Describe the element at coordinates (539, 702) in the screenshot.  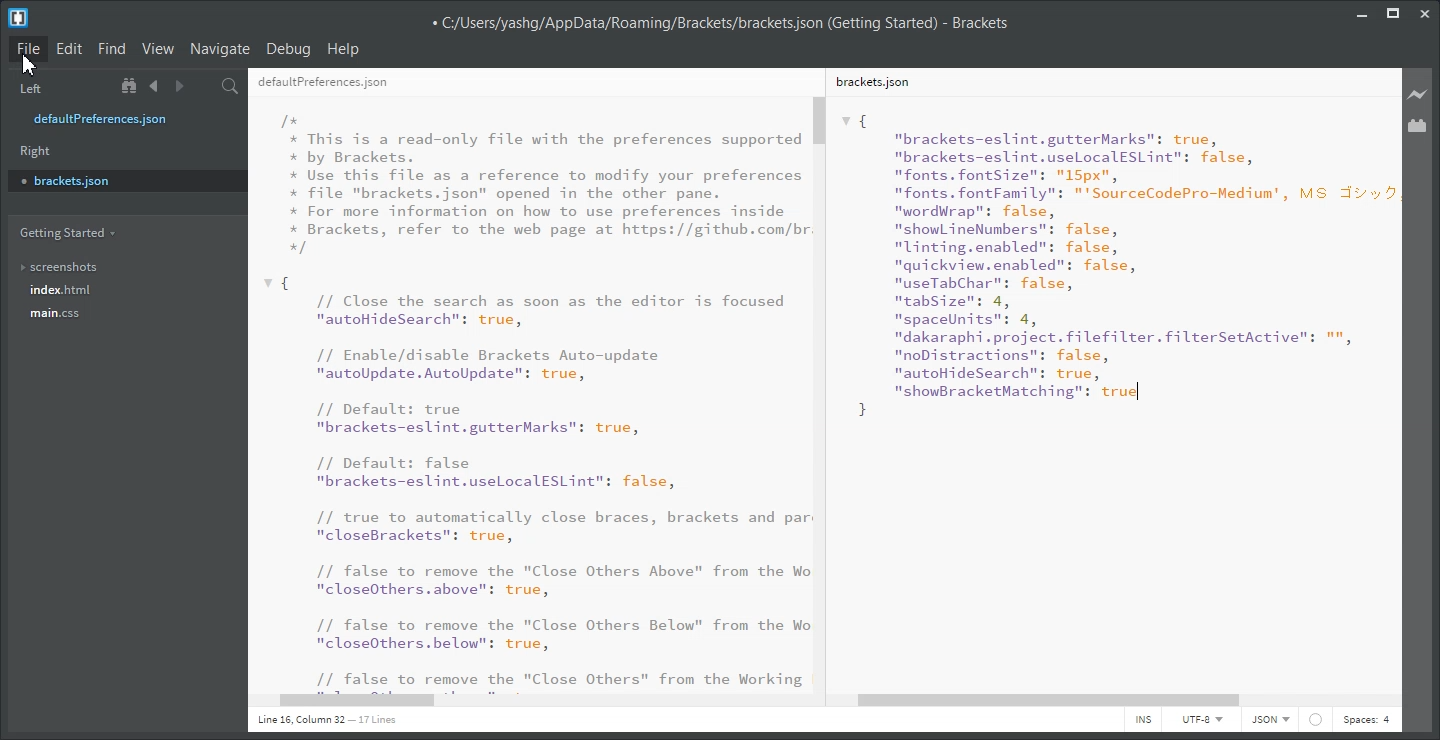
I see `Horizontal Scroll Bar` at that location.